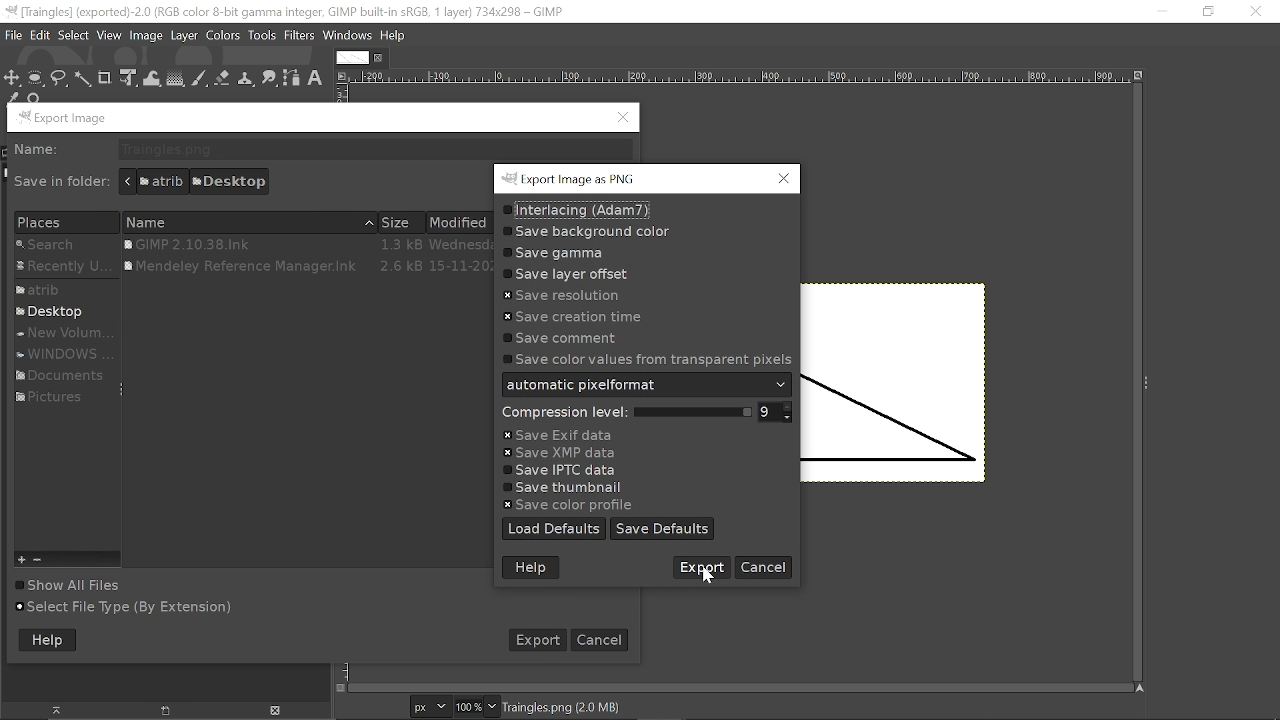 This screenshot has height=720, width=1280. Describe the element at coordinates (193, 181) in the screenshot. I see `Location of the folder` at that location.